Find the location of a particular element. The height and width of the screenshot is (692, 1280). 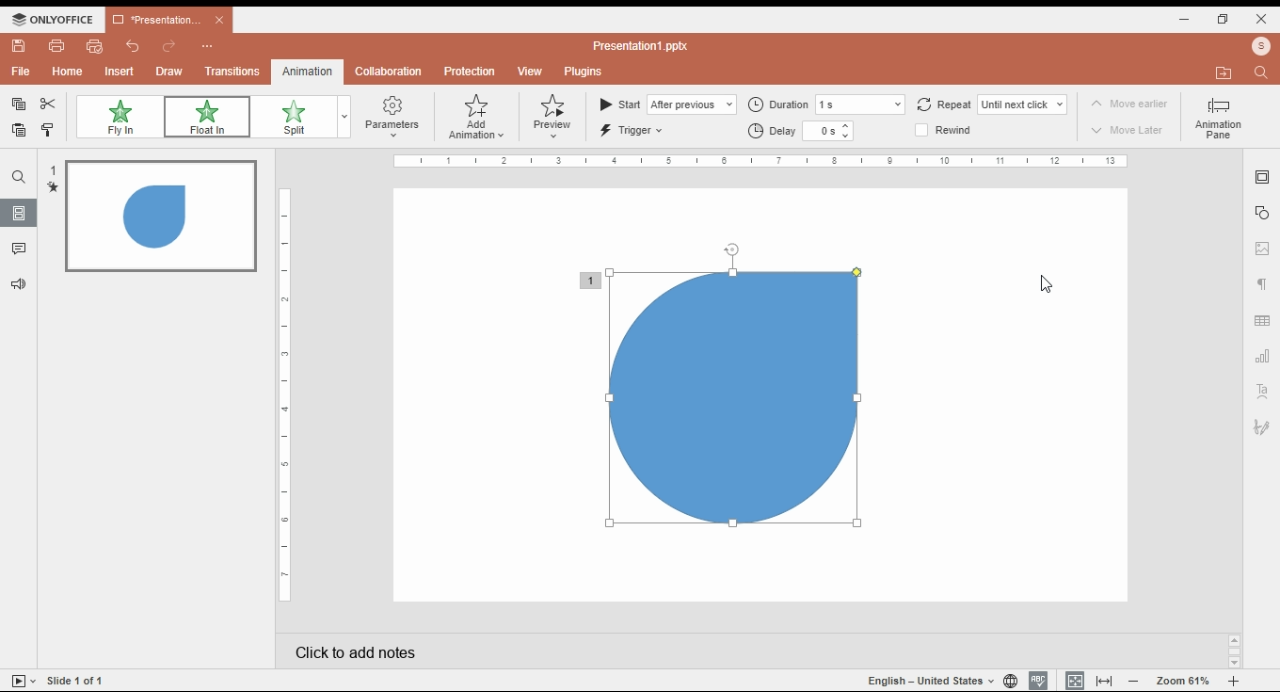

restore is located at coordinates (1224, 20).